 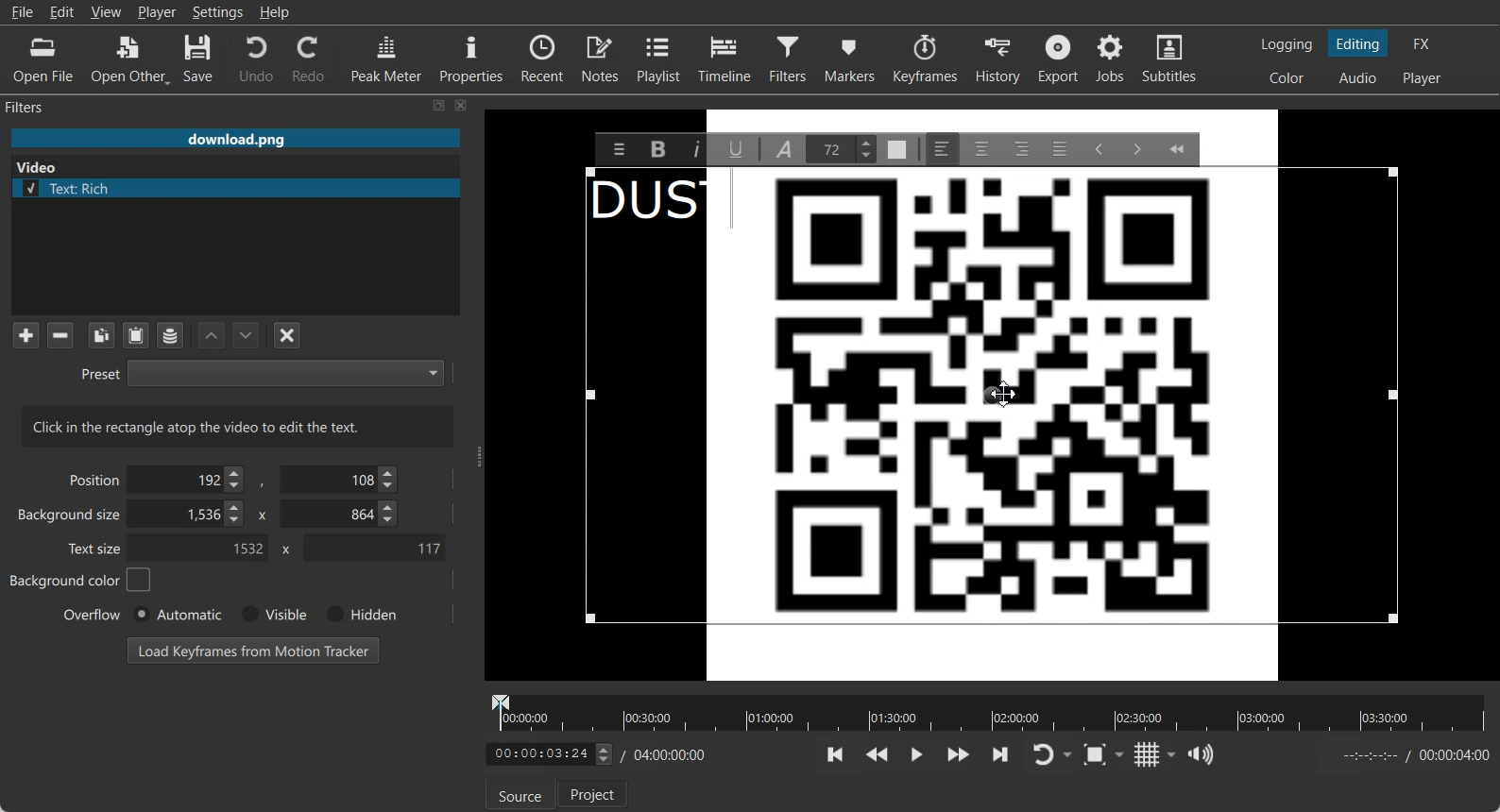 I want to click on x, so click(x=282, y=550).